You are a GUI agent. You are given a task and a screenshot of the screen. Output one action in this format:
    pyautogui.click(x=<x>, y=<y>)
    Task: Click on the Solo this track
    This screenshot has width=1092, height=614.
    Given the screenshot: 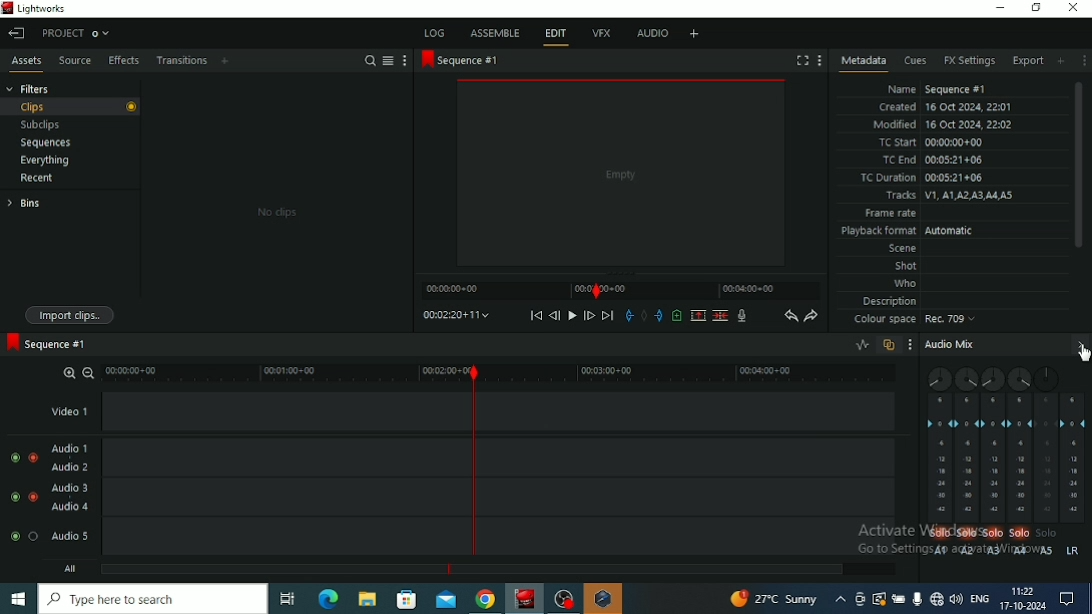 What is the action you would take?
    pyautogui.click(x=938, y=535)
    